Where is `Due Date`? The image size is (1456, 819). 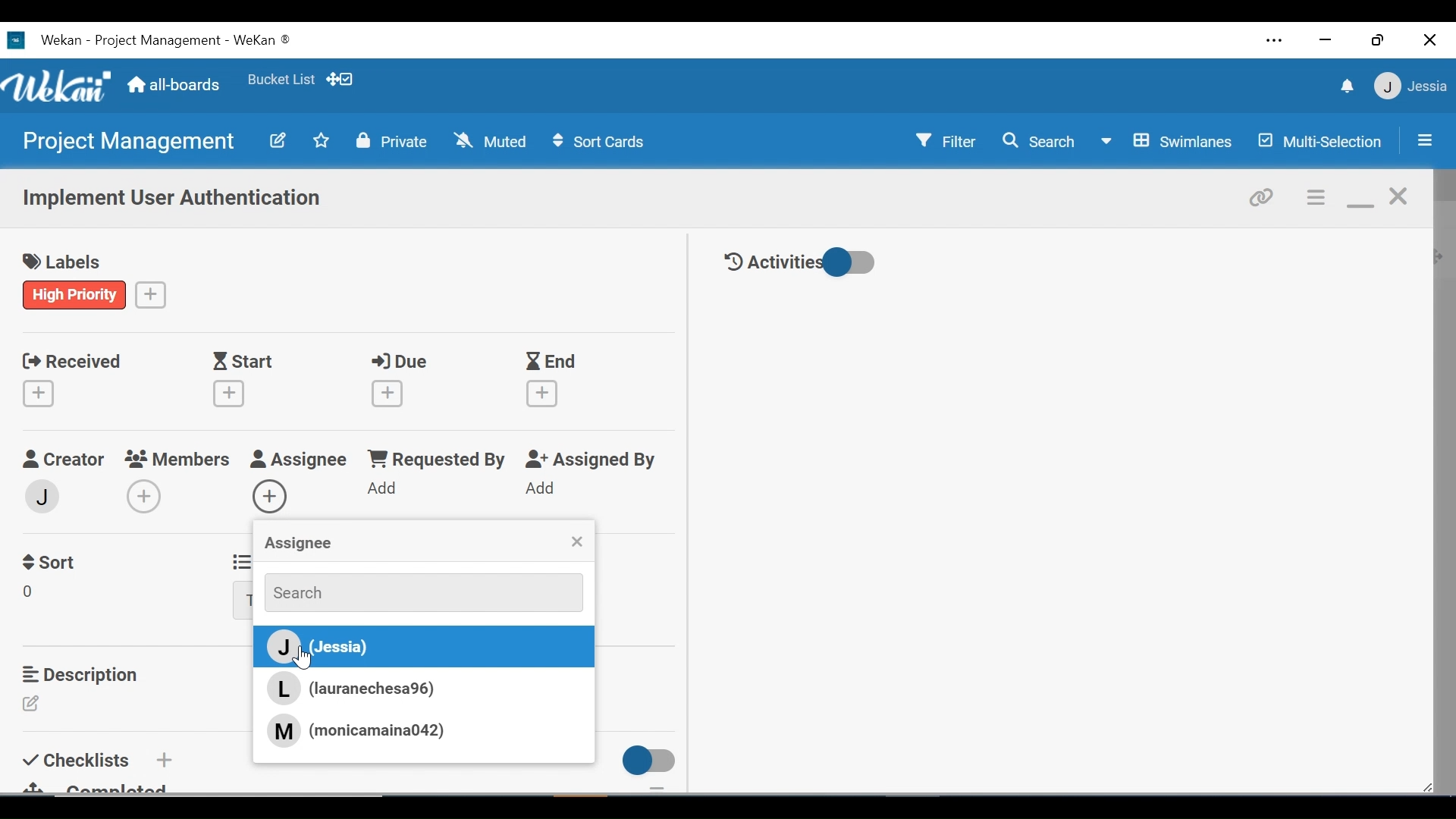 Due Date is located at coordinates (403, 362).